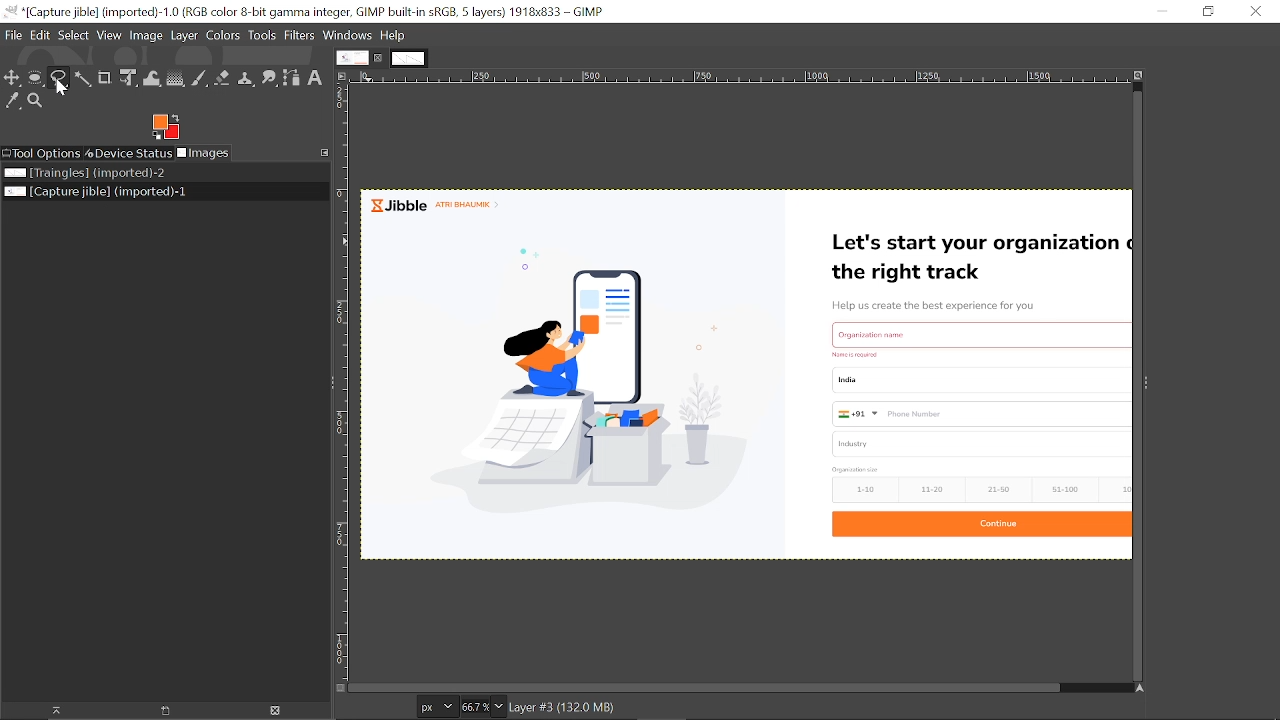  What do you see at coordinates (35, 100) in the screenshot?
I see `Zoom tool` at bounding box center [35, 100].